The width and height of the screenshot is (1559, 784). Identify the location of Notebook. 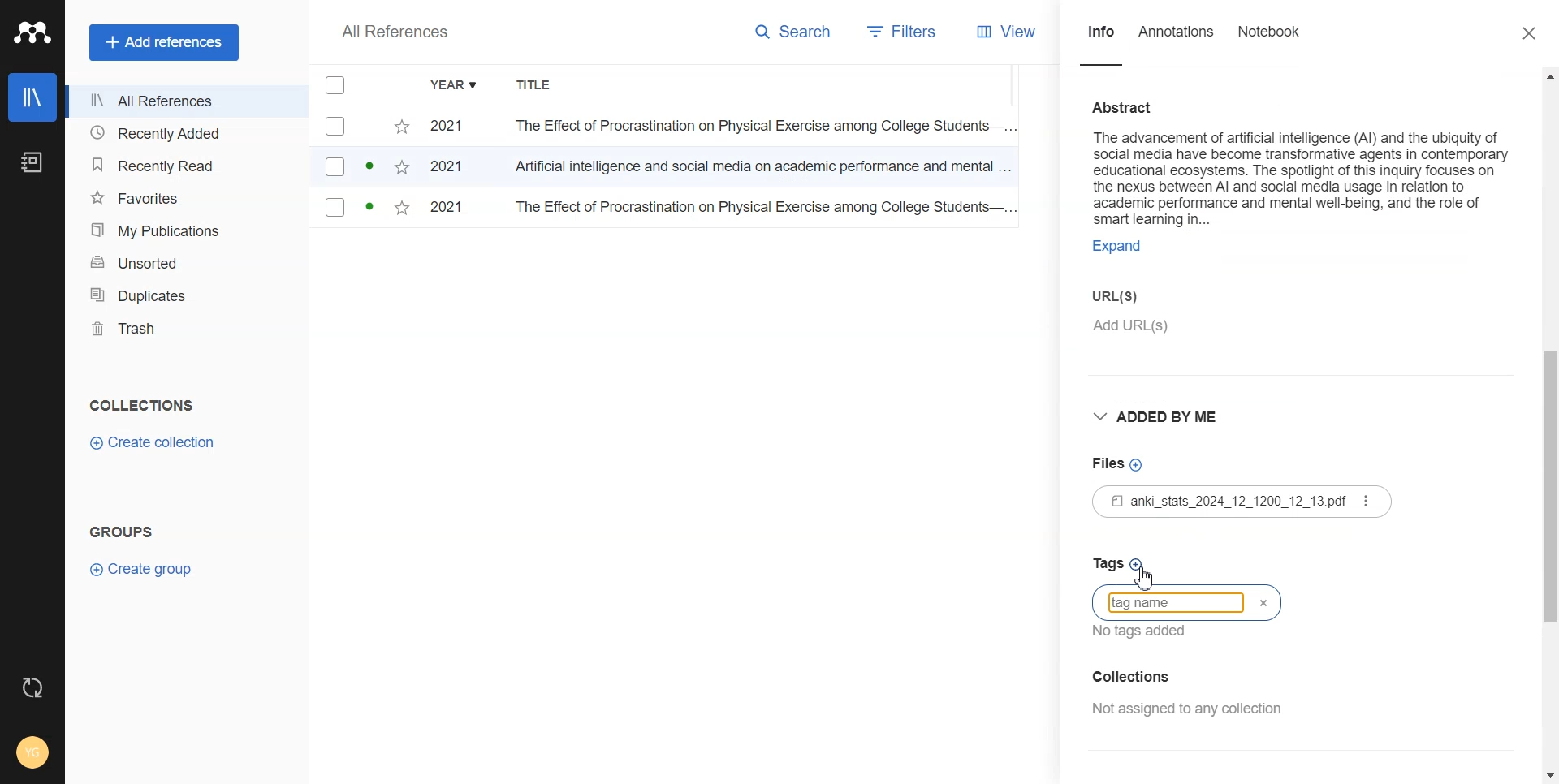
(32, 163).